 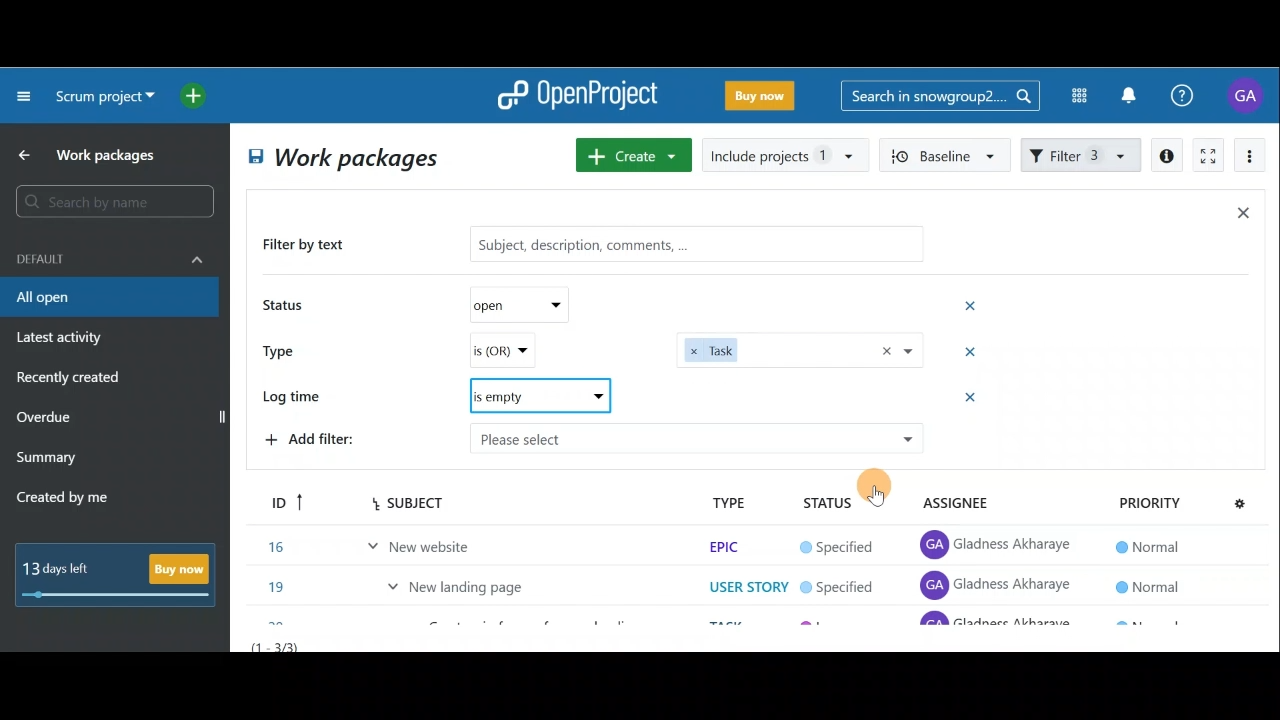 What do you see at coordinates (286, 307) in the screenshot?
I see `Status` at bounding box center [286, 307].